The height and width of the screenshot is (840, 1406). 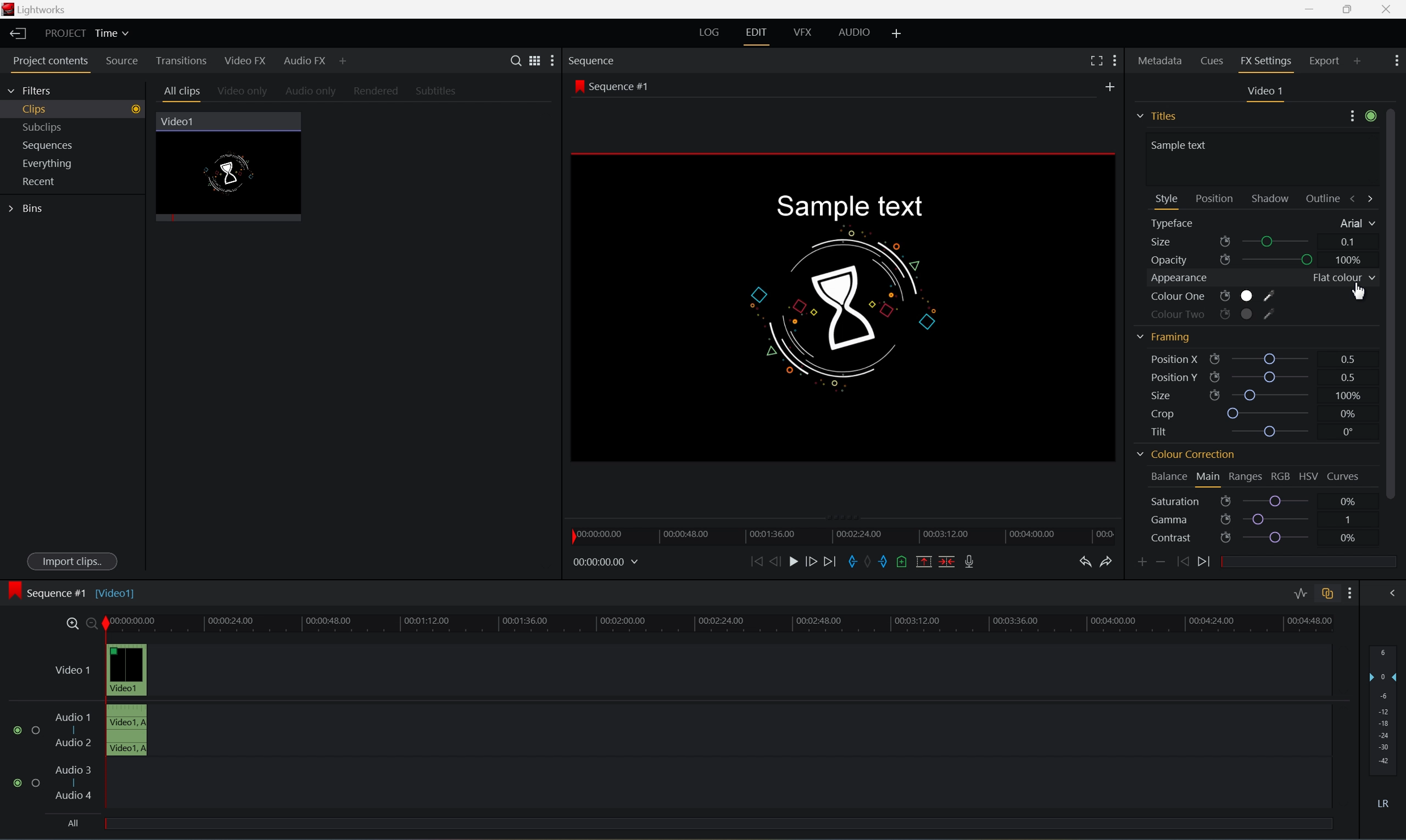 What do you see at coordinates (123, 62) in the screenshot?
I see `source` at bounding box center [123, 62].